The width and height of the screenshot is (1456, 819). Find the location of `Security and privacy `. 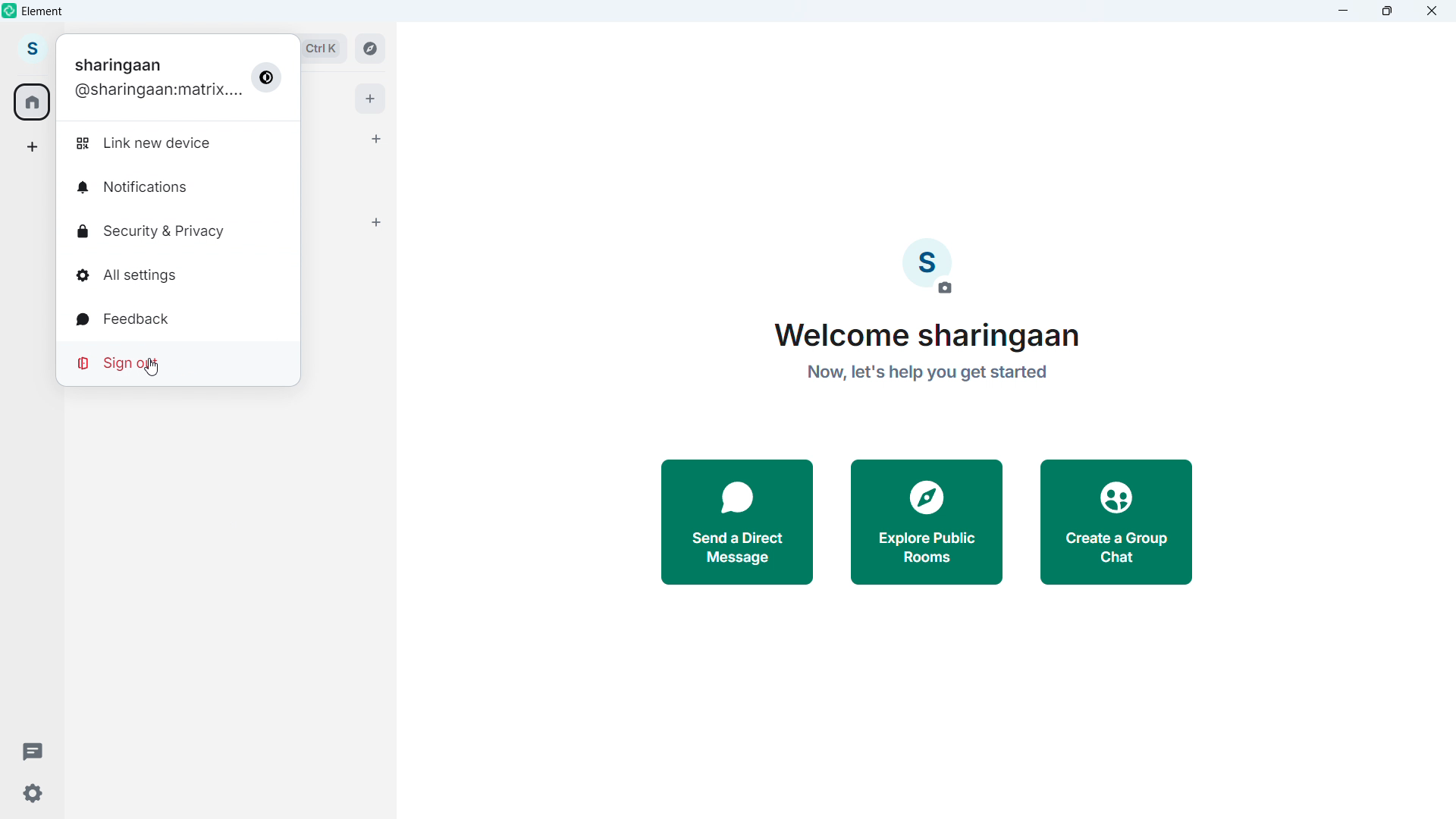

Security and privacy  is located at coordinates (153, 230).